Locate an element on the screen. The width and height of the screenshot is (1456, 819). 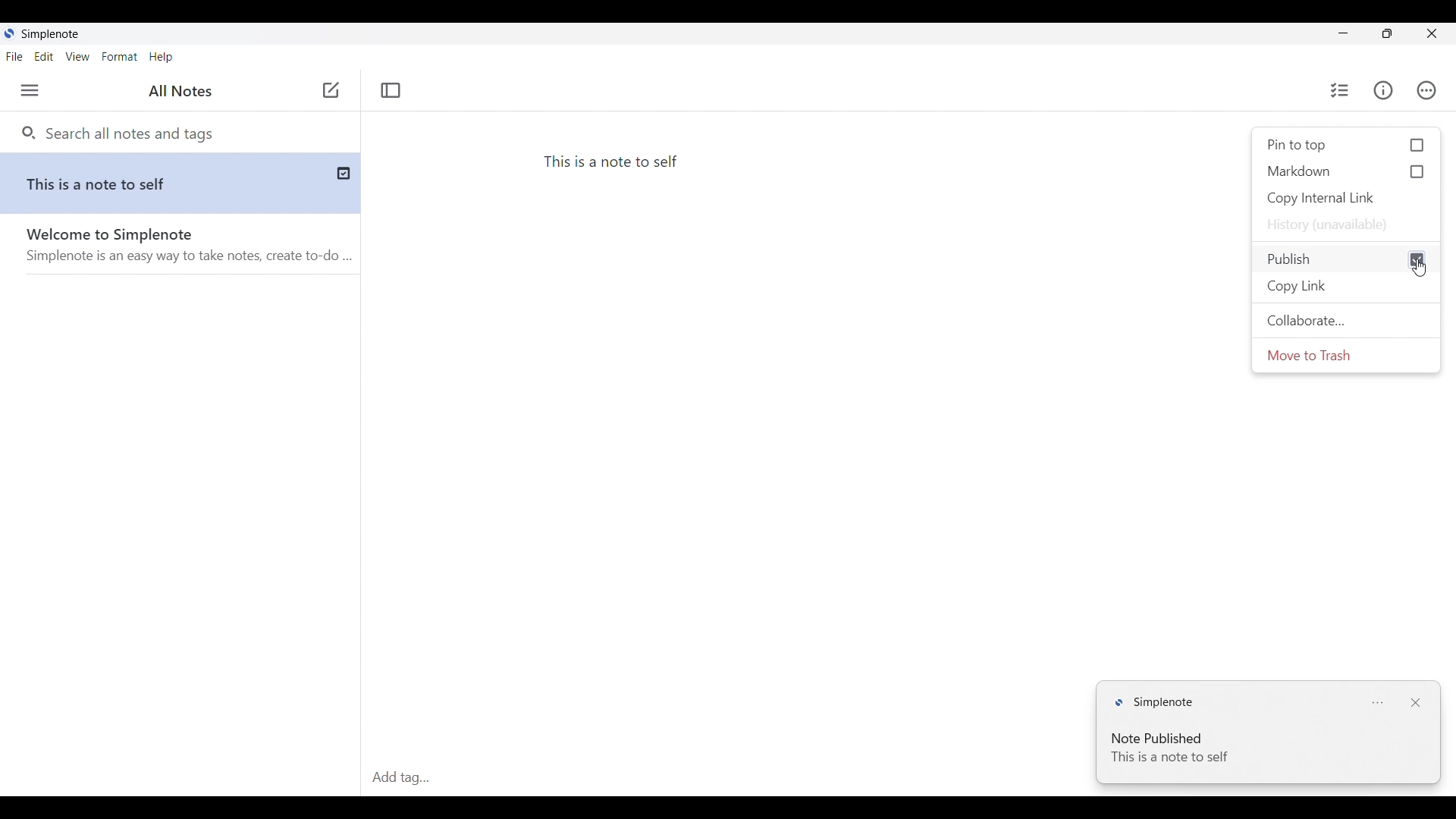
Close  is located at coordinates (1431, 33).